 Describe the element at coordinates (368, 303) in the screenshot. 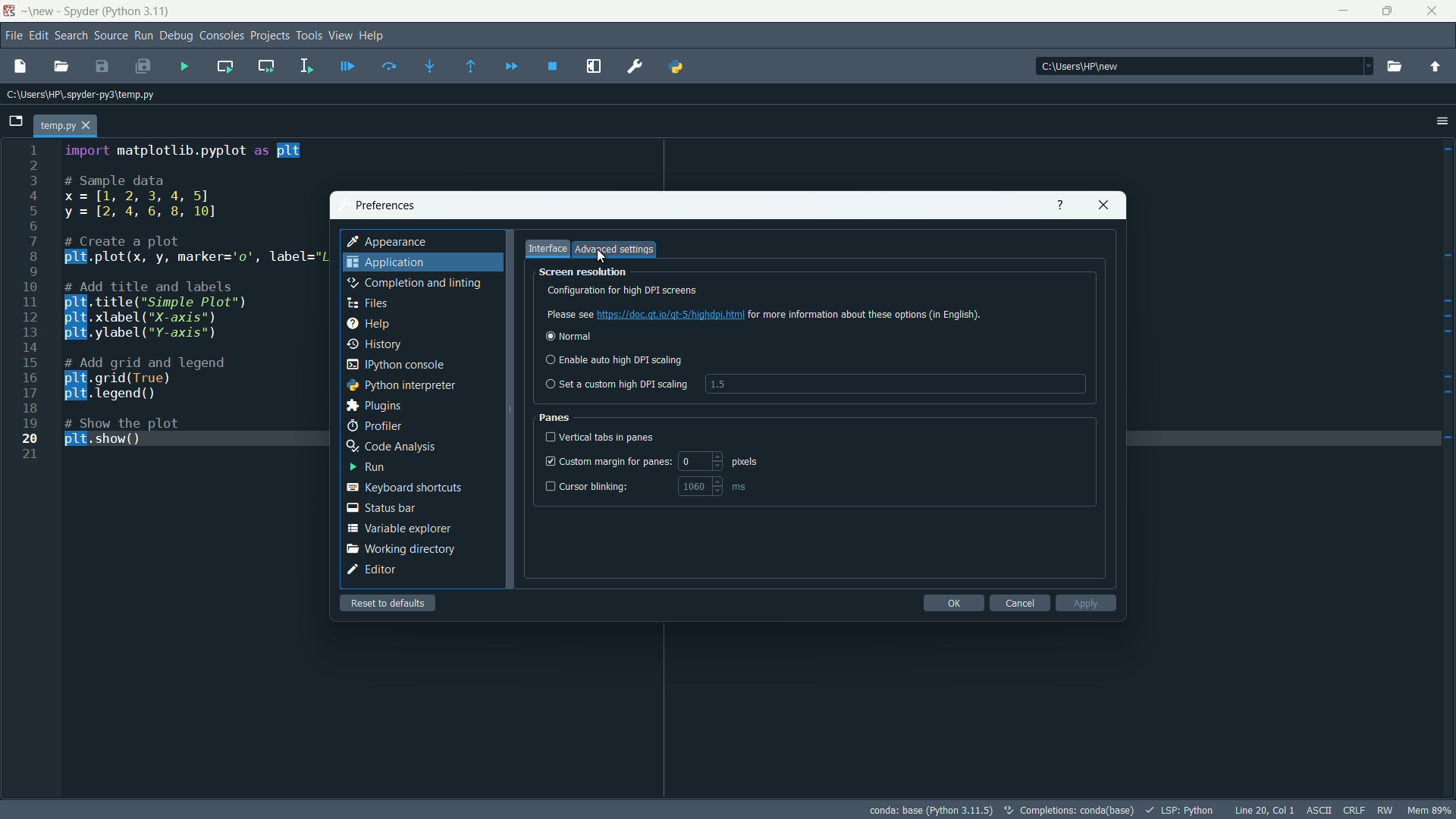

I see `files` at that location.